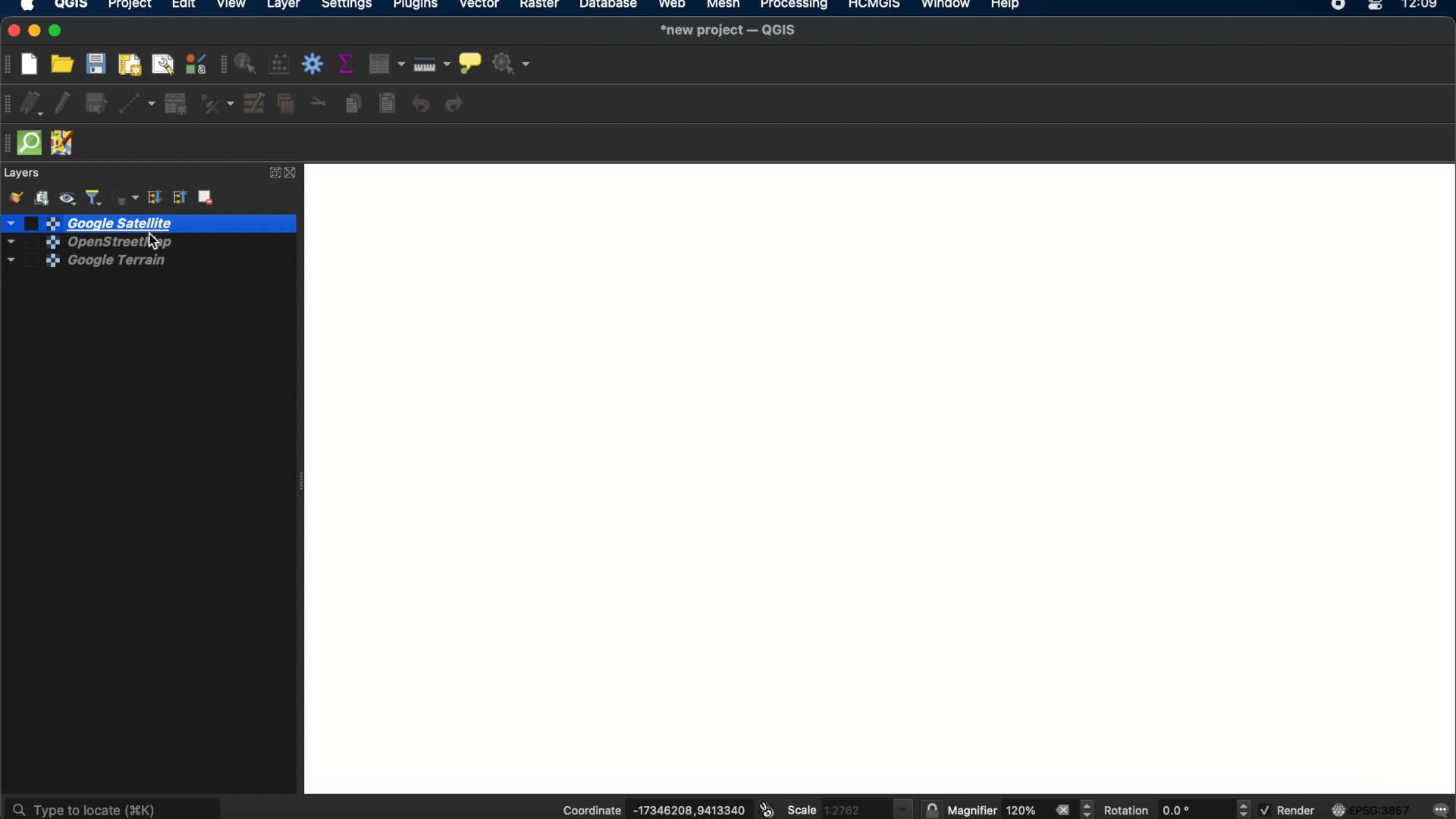 This screenshot has height=819, width=1456. I want to click on rotation 0.0, so click(1156, 810).